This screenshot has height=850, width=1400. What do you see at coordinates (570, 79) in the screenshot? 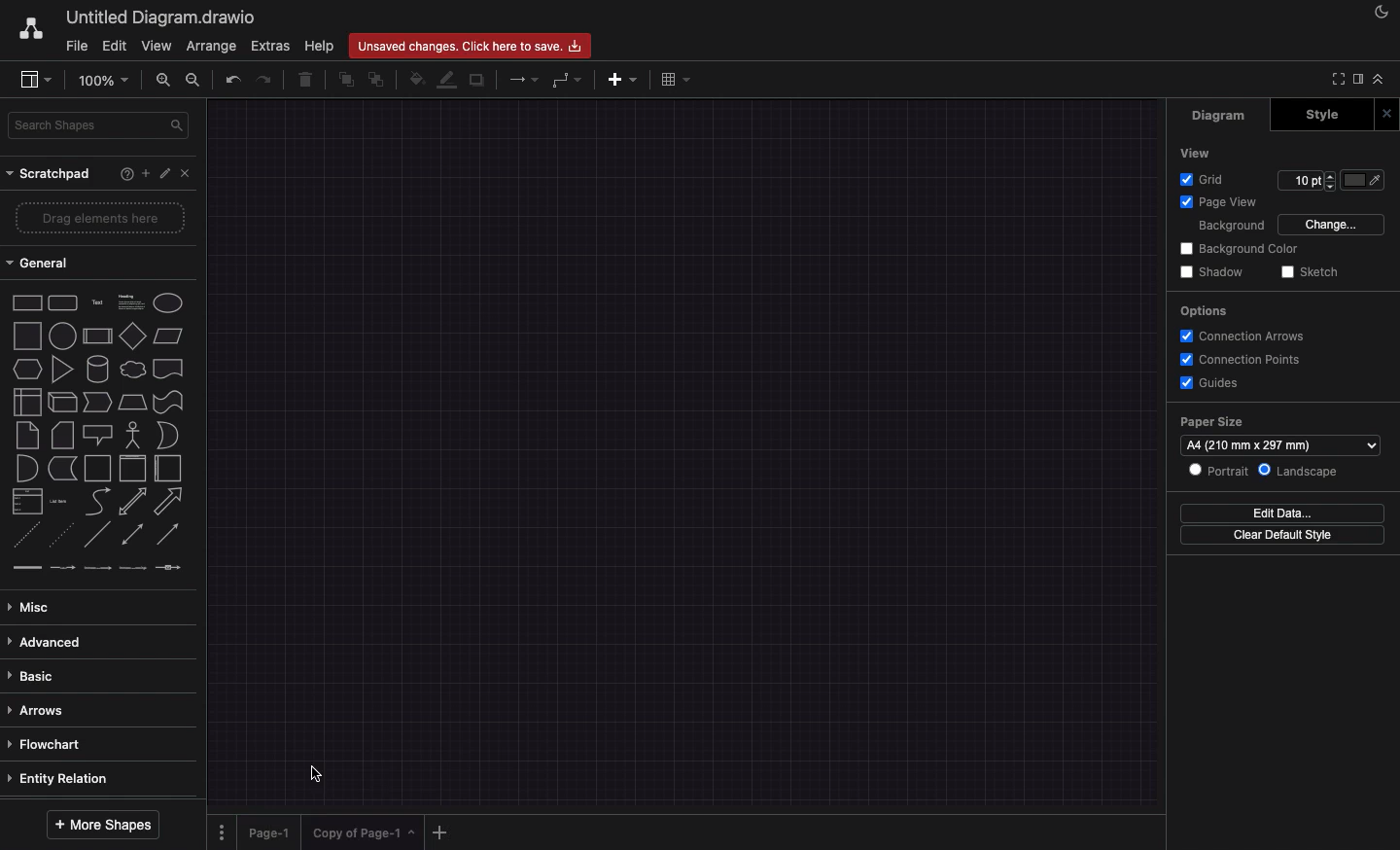
I see `waypoints` at bounding box center [570, 79].